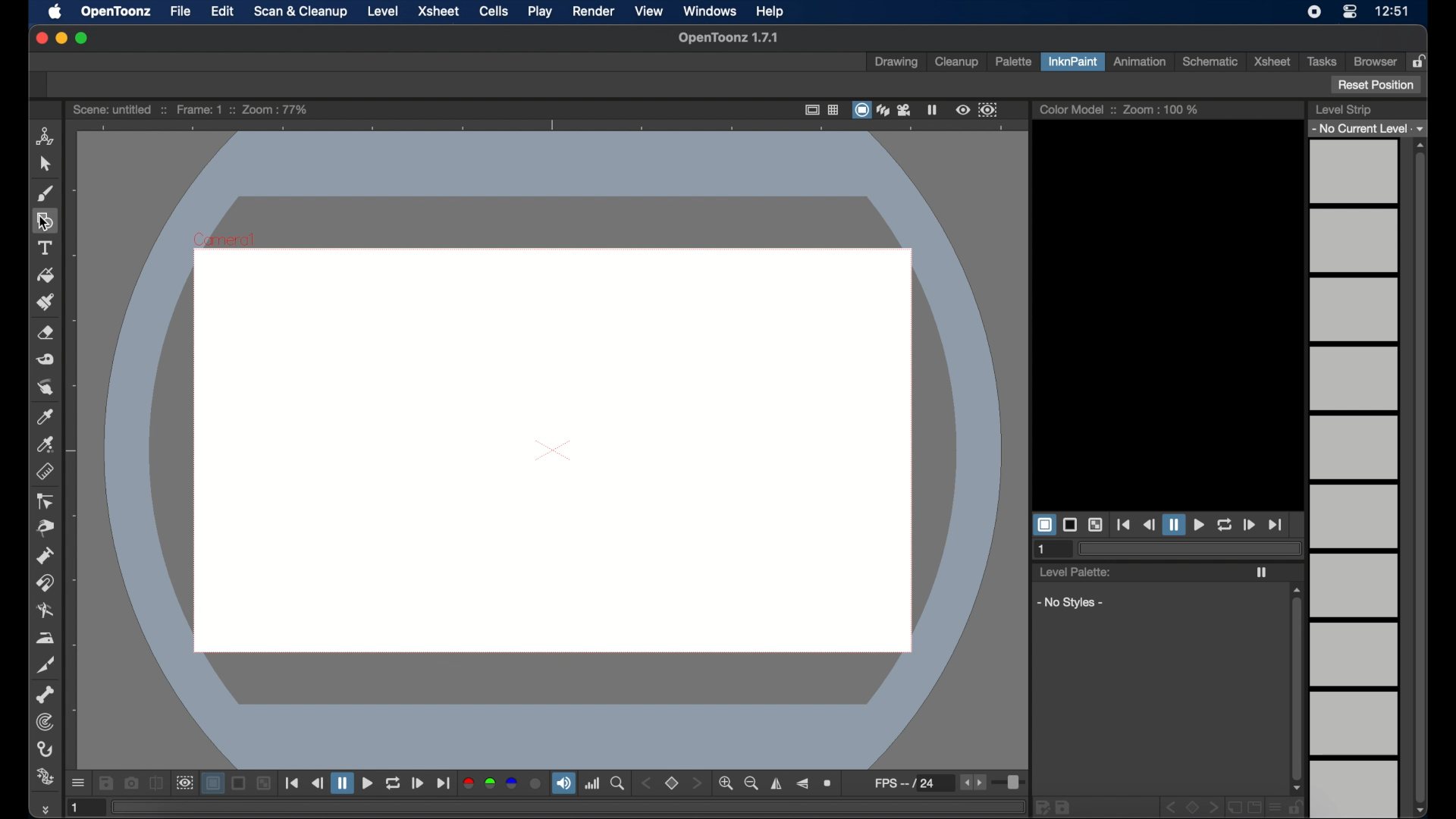 The width and height of the screenshot is (1456, 819). Describe the element at coordinates (45, 416) in the screenshot. I see `picker tool` at that location.